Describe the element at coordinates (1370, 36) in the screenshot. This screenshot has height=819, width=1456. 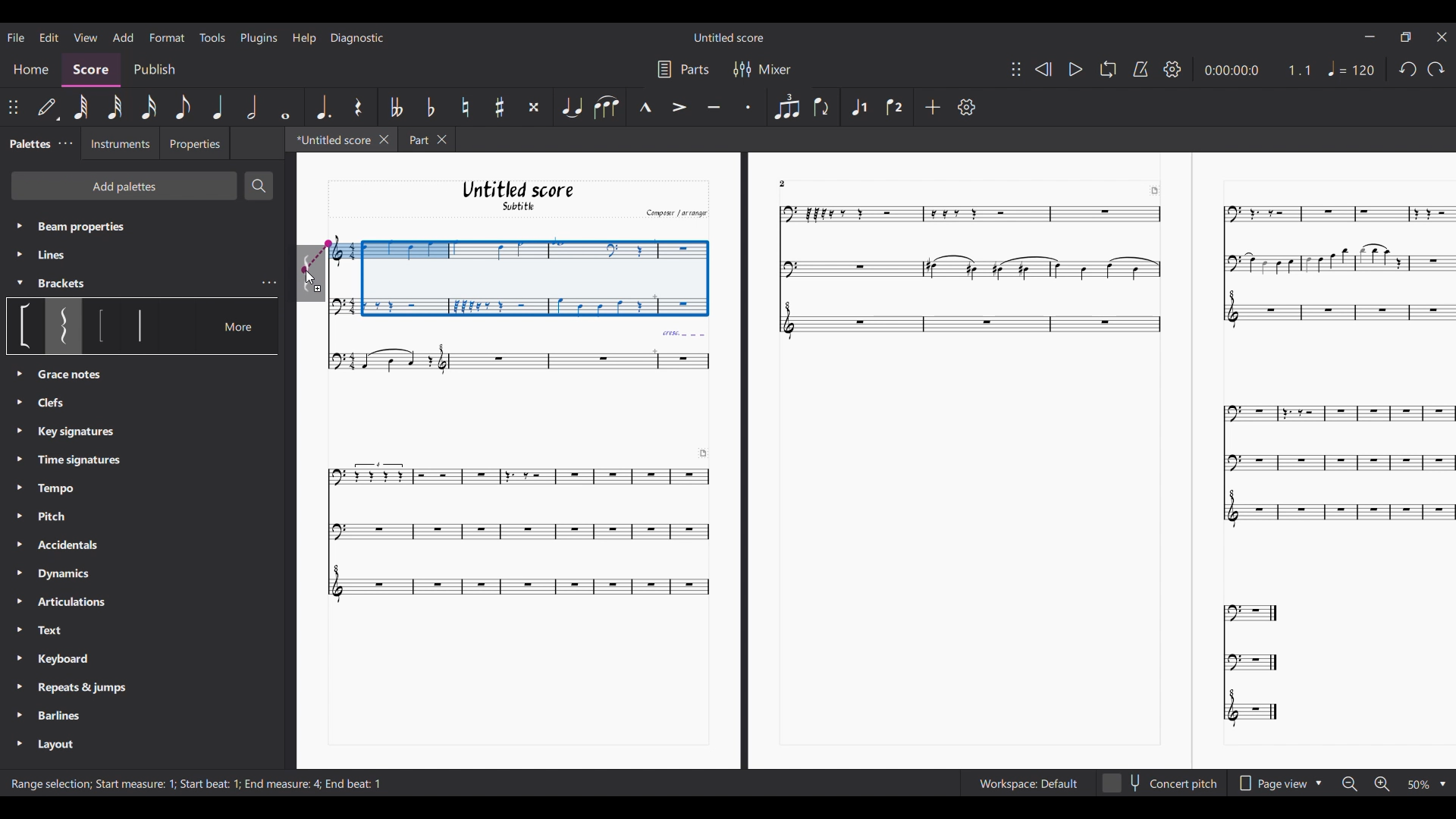
I see `Minimize` at that location.